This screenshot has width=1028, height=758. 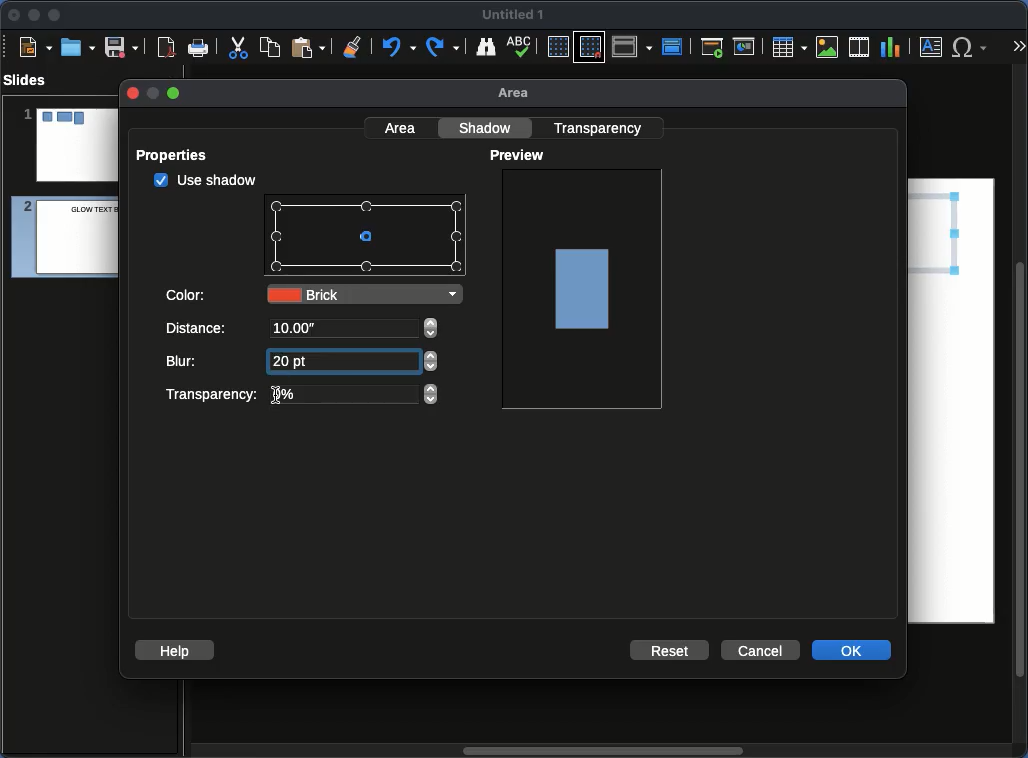 I want to click on adjust, so click(x=431, y=361).